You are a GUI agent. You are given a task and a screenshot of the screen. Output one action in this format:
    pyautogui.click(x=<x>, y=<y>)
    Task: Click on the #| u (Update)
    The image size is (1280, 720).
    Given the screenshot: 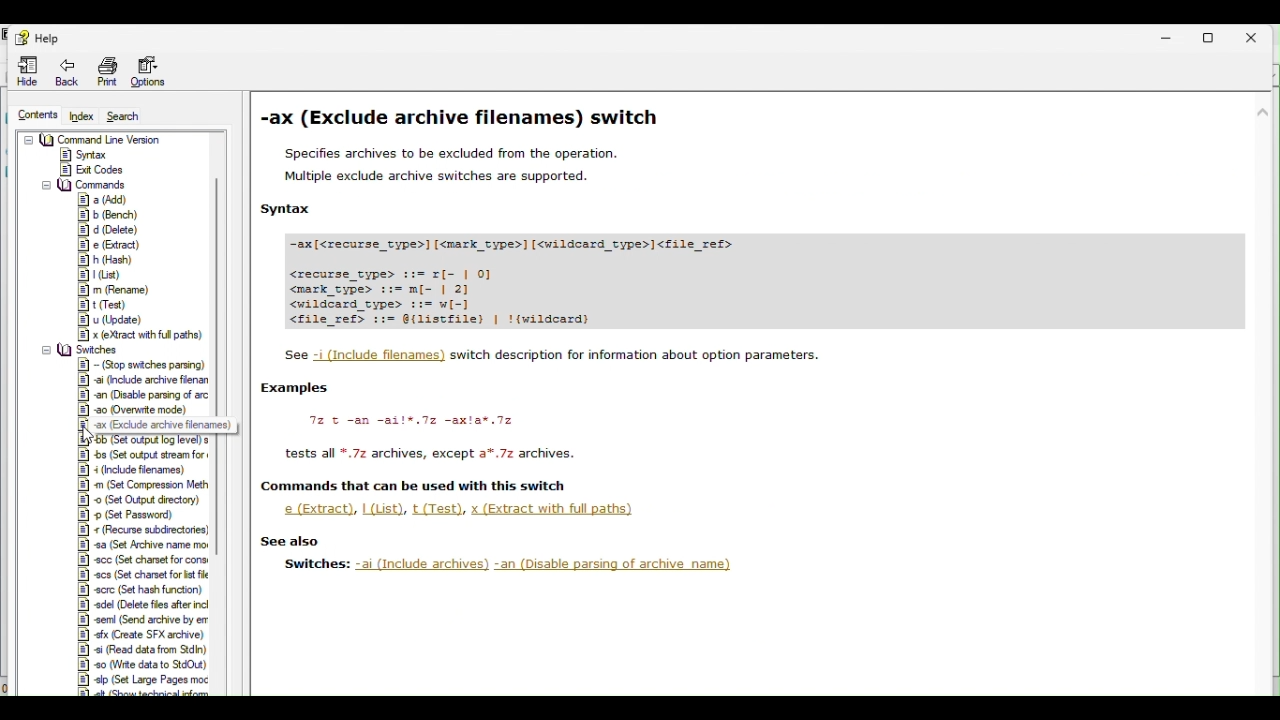 What is the action you would take?
    pyautogui.click(x=118, y=321)
    